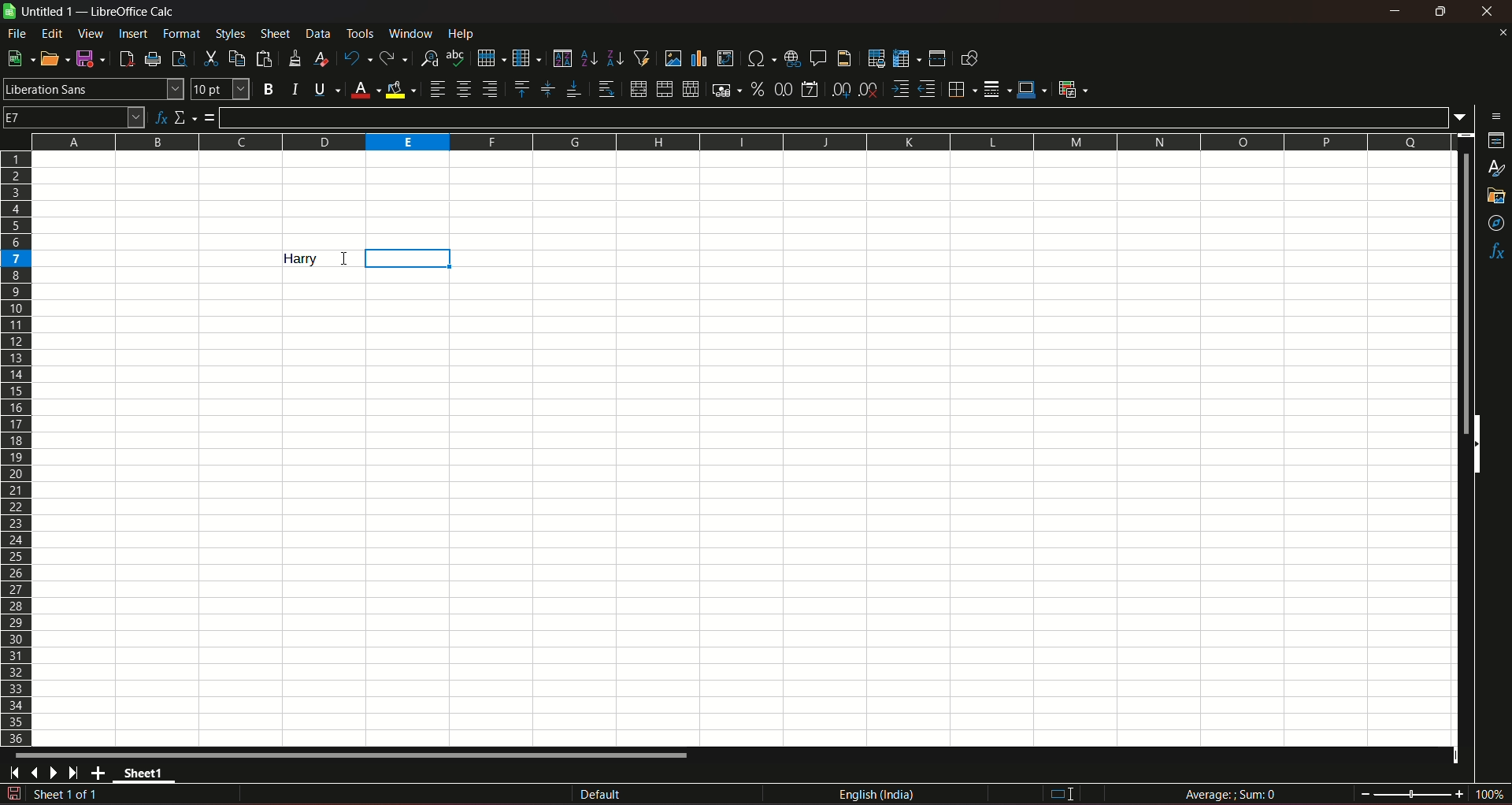  Describe the element at coordinates (689, 90) in the screenshot. I see `unmerge` at that location.